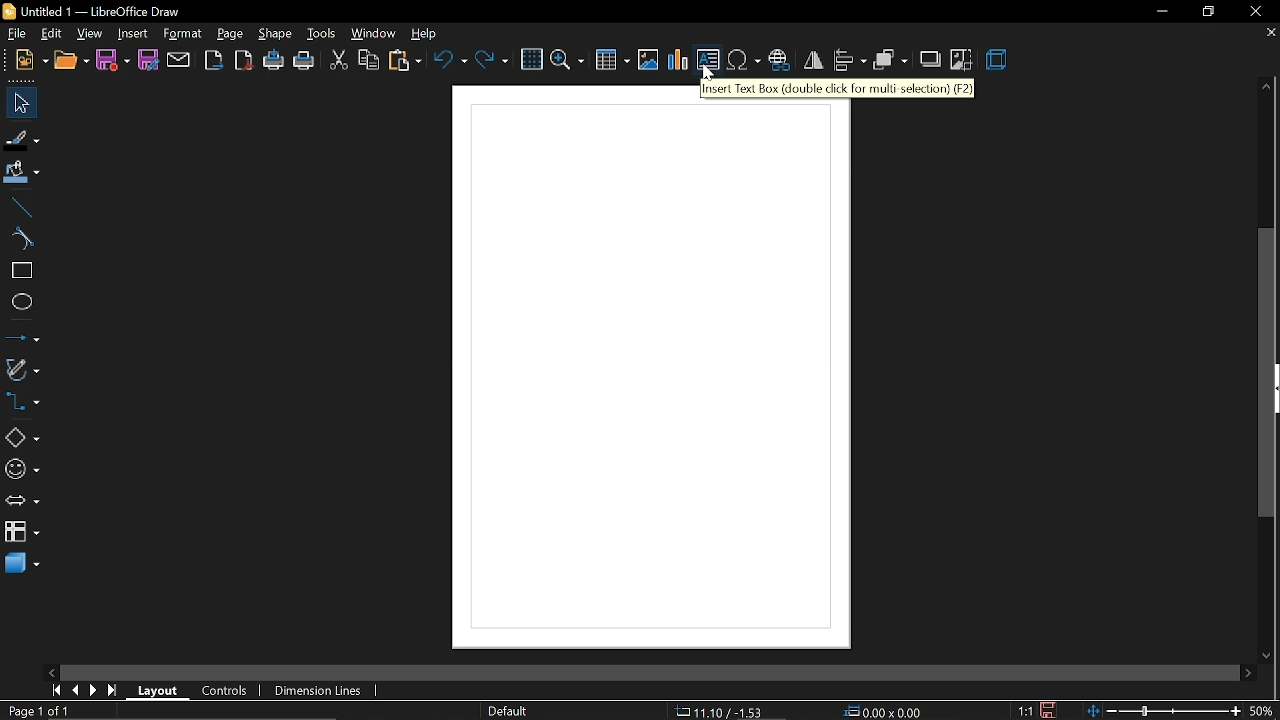  What do you see at coordinates (115, 691) in the screenshot?
I see `go to last page` at bounding box center [115, 691].